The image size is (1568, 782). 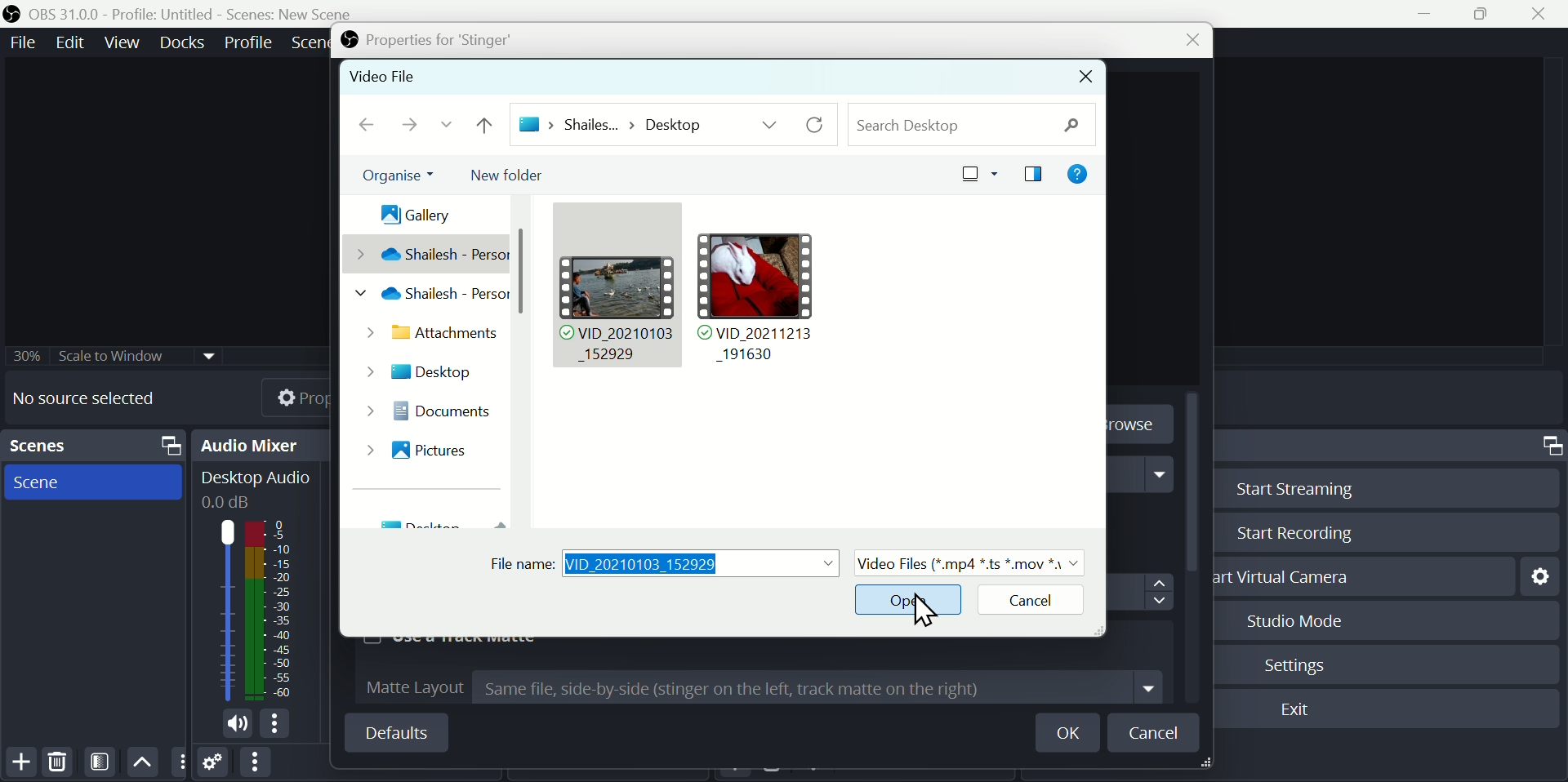 What do you see at coordinates (214, 765) in the screenshot?
I see `Settings` at bounding box center [214, 765].